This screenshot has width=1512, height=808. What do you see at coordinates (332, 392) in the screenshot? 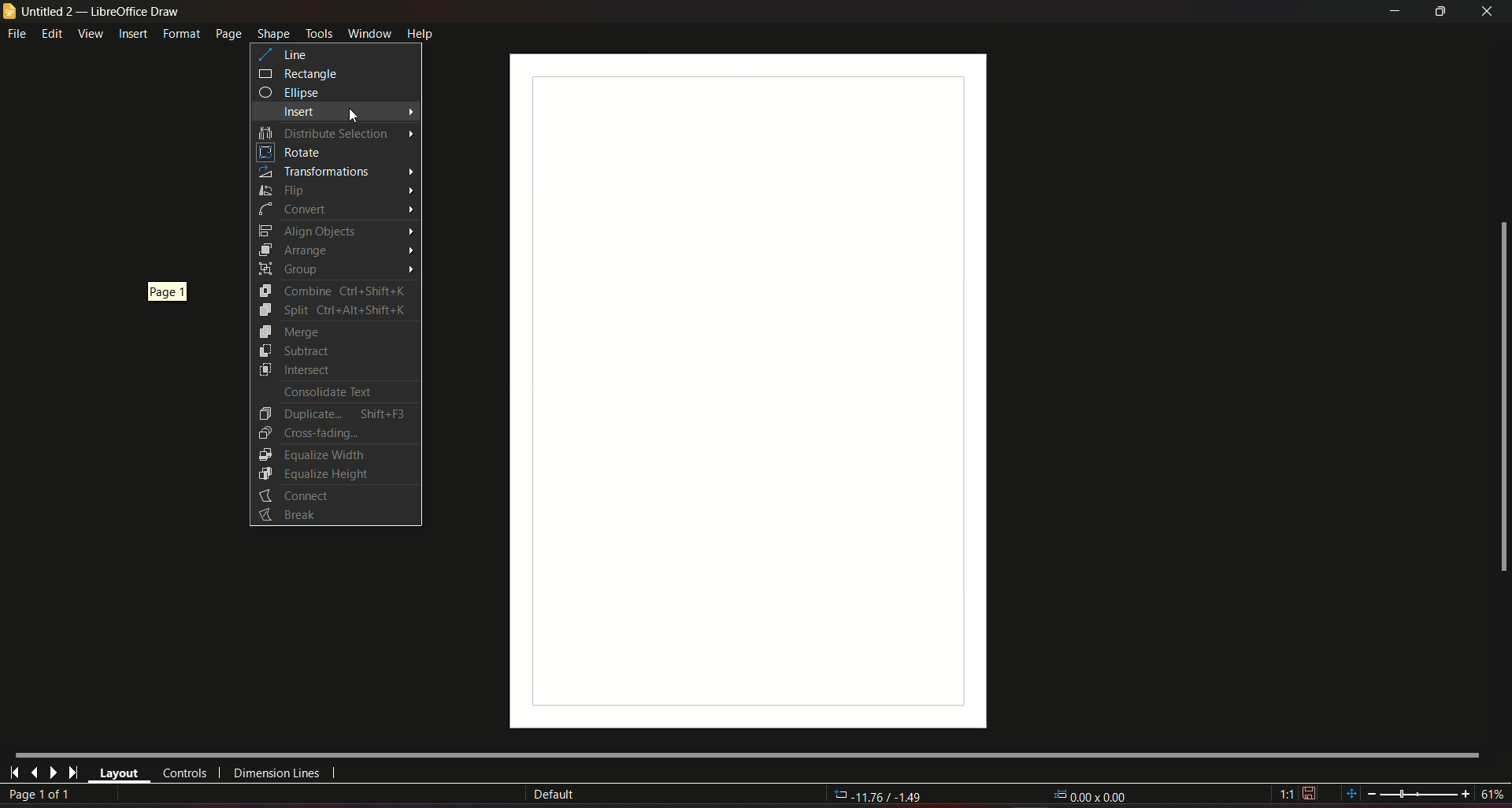
I see `Consolidate Text` at bounding box center [332, 392].